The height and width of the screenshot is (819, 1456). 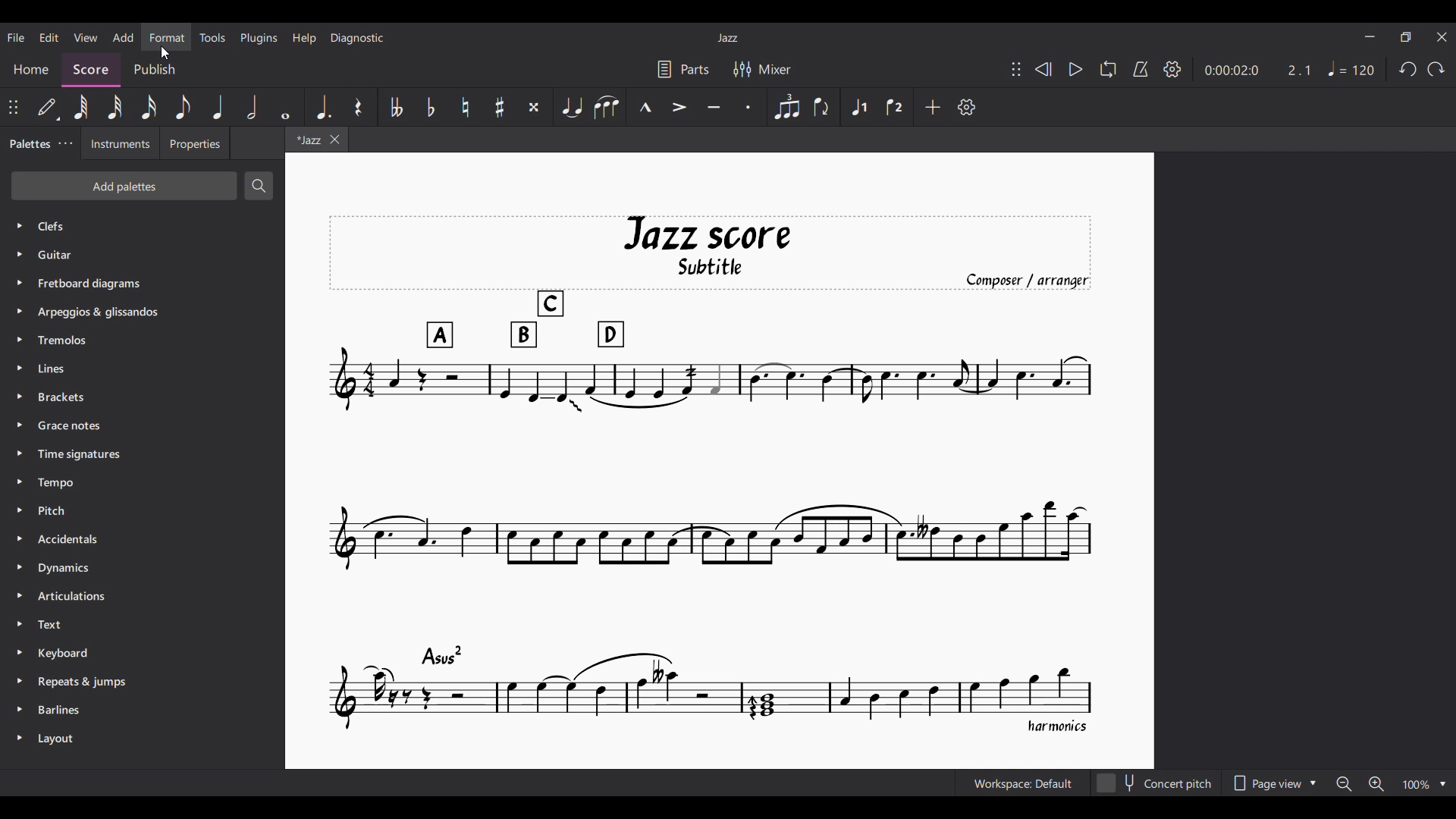 I want to click on Voice 2, so click(x=894, y=107).